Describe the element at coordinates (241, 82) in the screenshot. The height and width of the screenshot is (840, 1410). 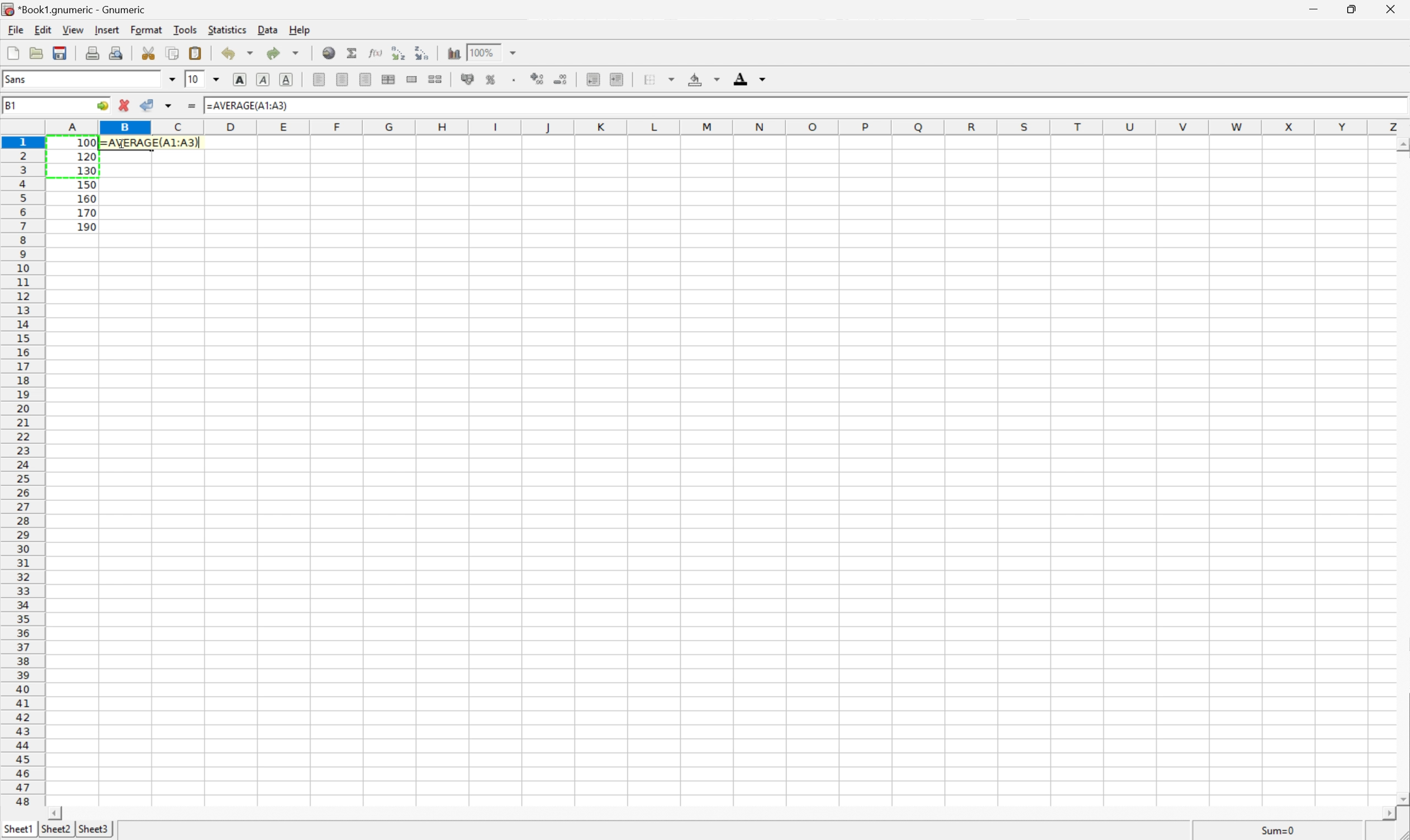
I see `Bold` at that location.